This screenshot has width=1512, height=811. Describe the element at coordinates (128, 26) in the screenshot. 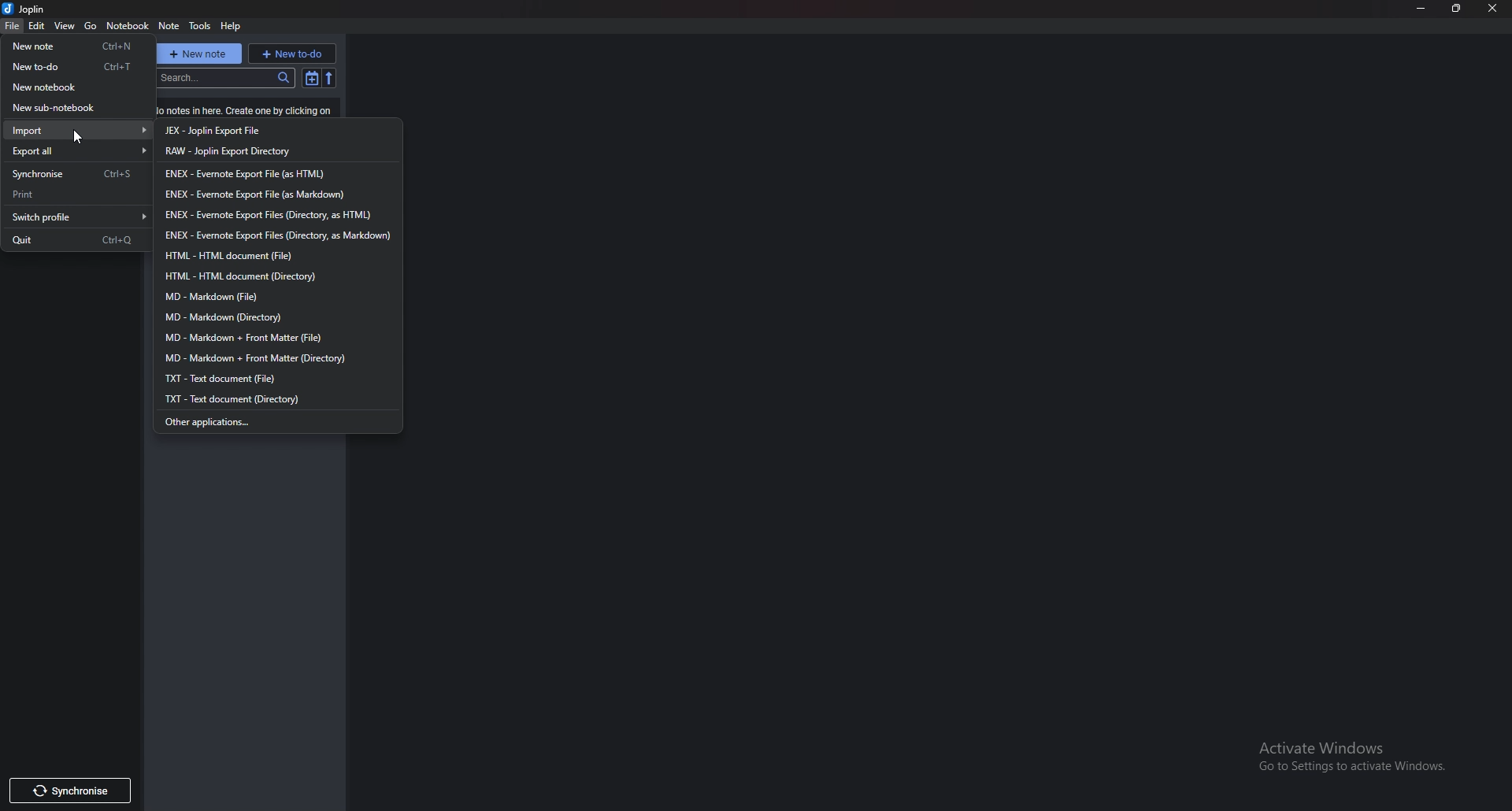

I see `Notebook` at that location.